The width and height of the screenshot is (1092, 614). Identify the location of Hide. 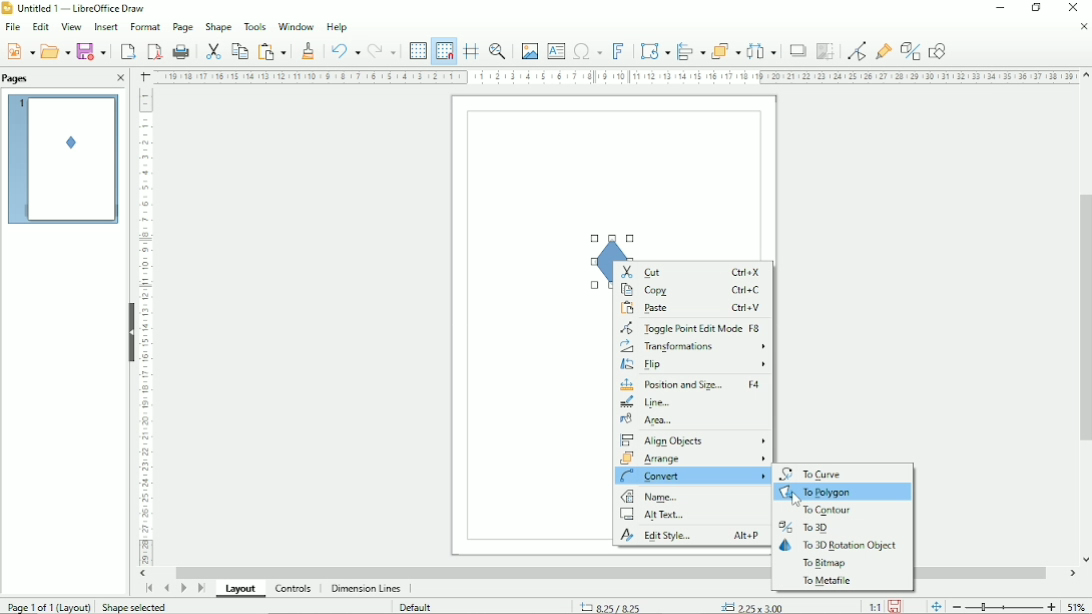
(130, 329).